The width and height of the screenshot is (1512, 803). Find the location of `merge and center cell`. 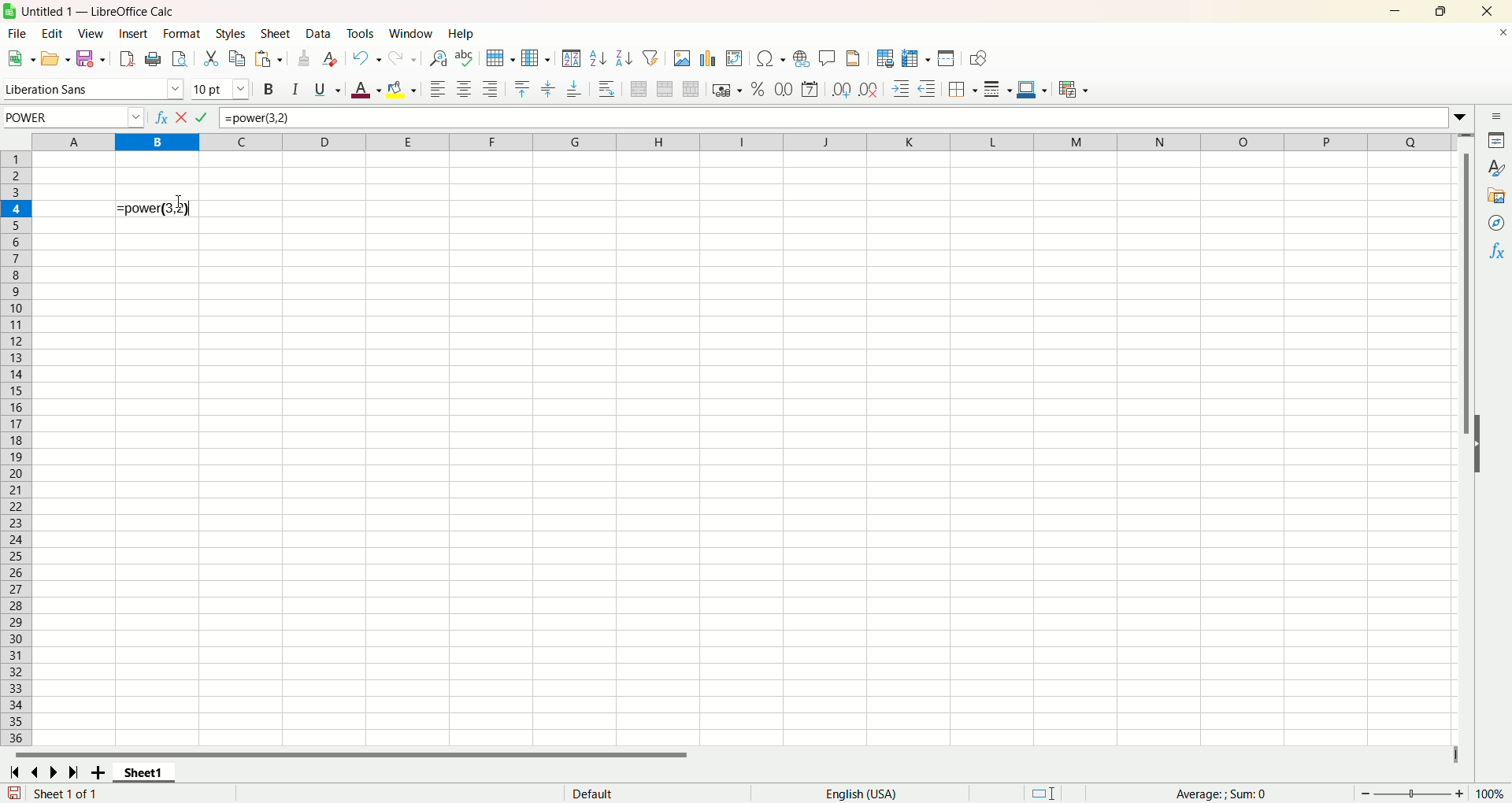

merge and center cell is located at coordinates (641, 87).